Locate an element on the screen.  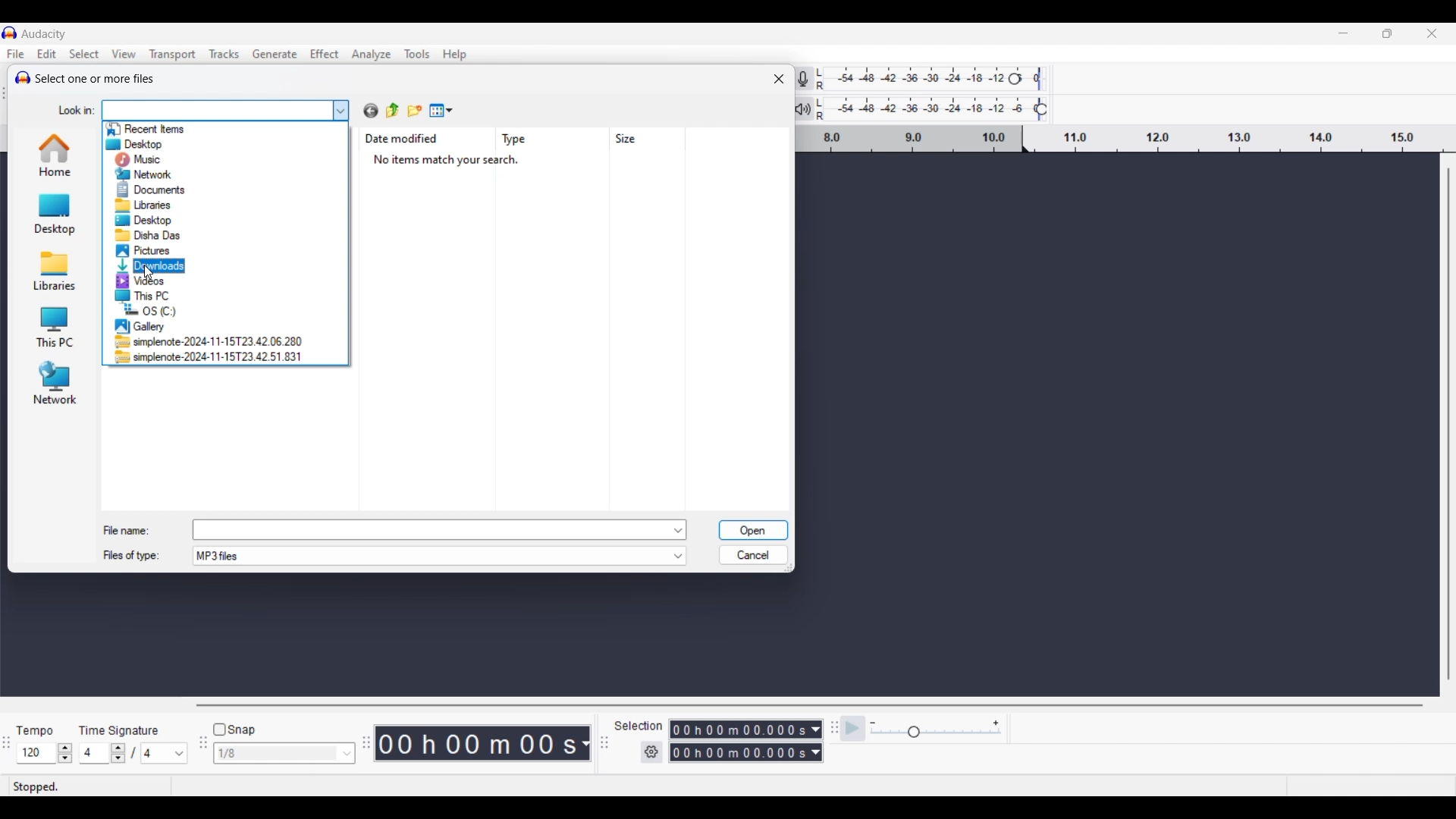
00h00m00.000s is located at coordinates (745, 755).